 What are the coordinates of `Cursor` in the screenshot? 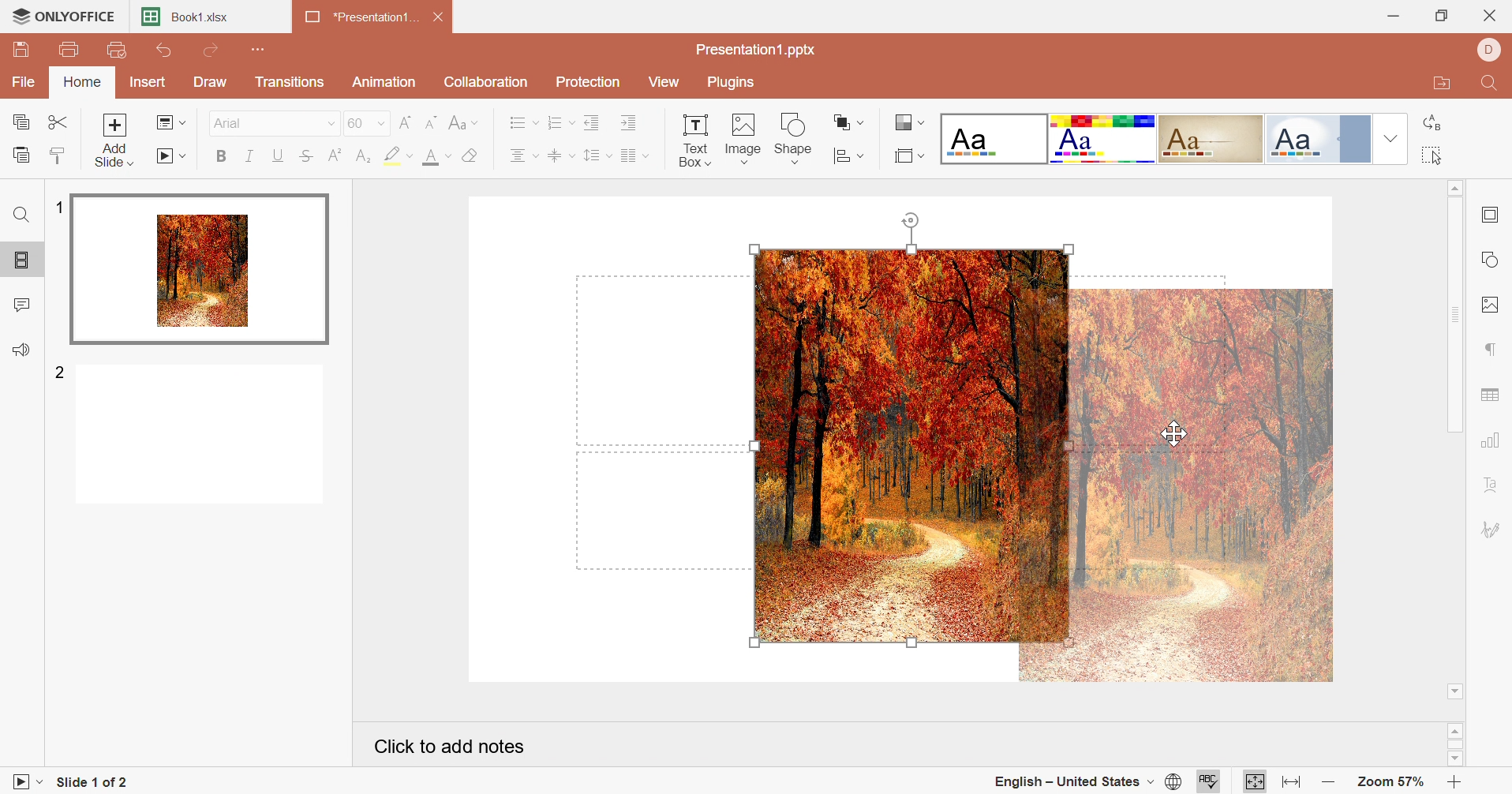 It's located at (1179, 431).